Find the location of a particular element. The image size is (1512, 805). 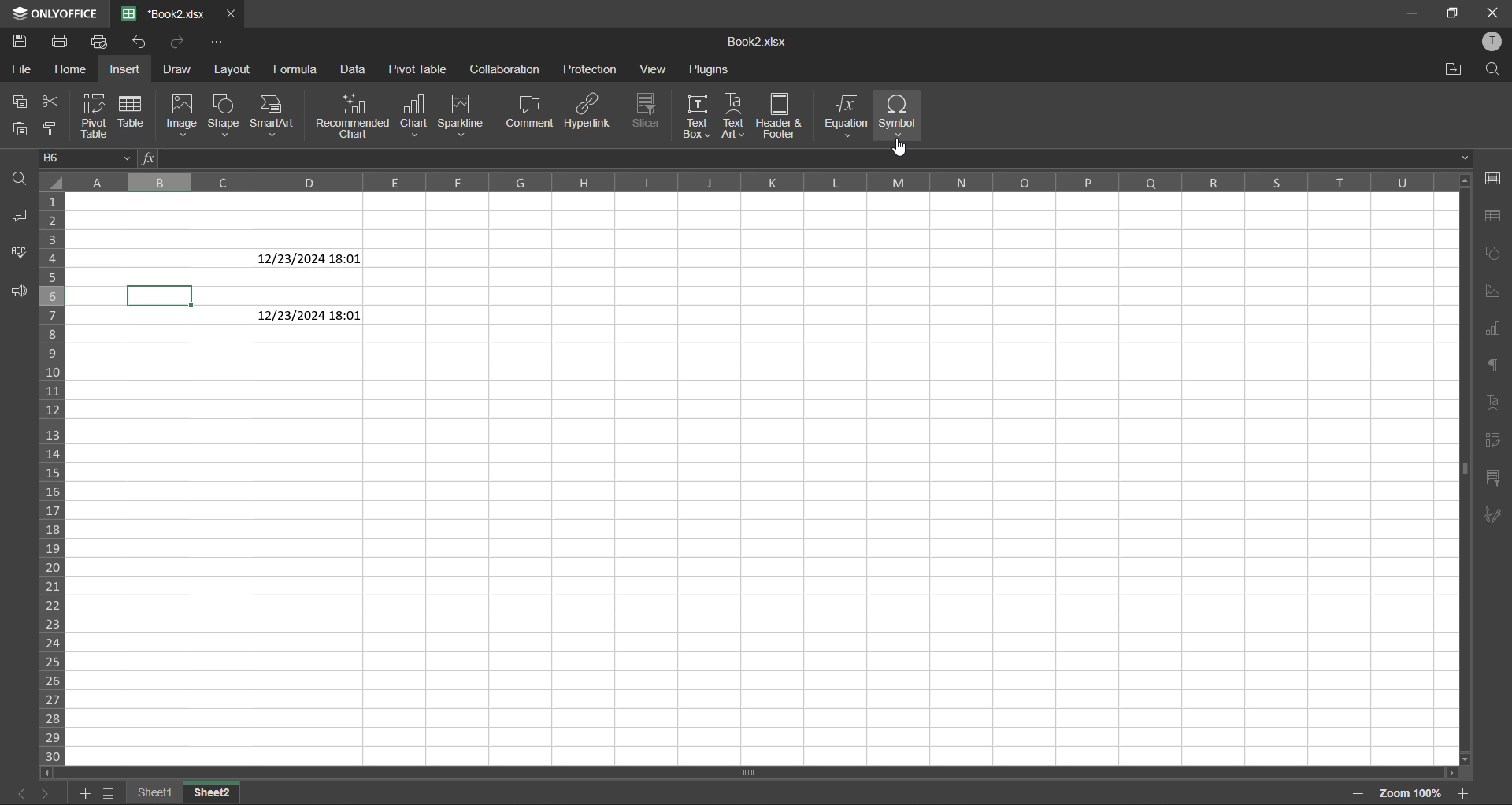

D6 is located at coordinates (88, 158).